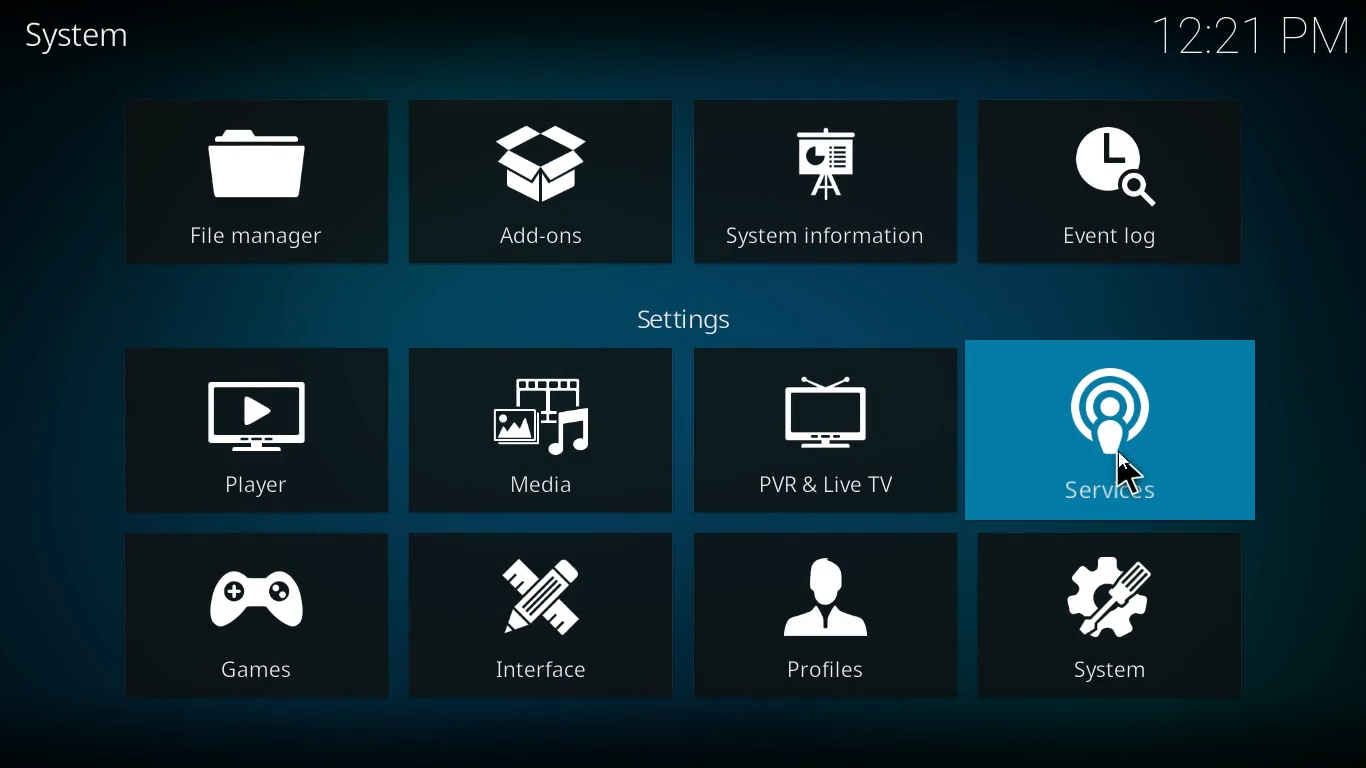 The width and height of the screenshot is (1366, 768). I want to click on media, so click(540, 429).